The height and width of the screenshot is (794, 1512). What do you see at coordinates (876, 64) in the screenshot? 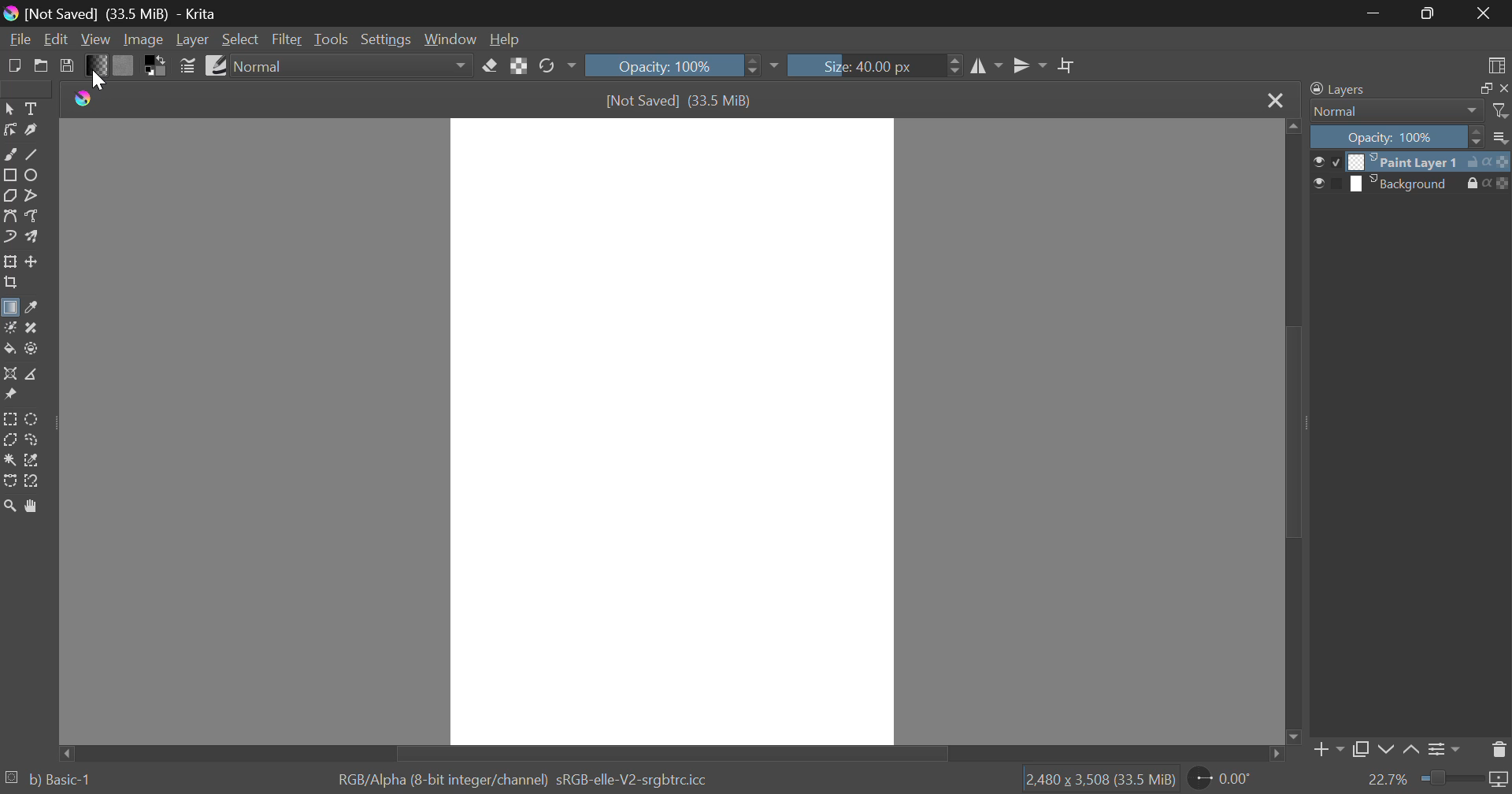
I see `Size: 40.00 px` at bounding box center [876, 64].